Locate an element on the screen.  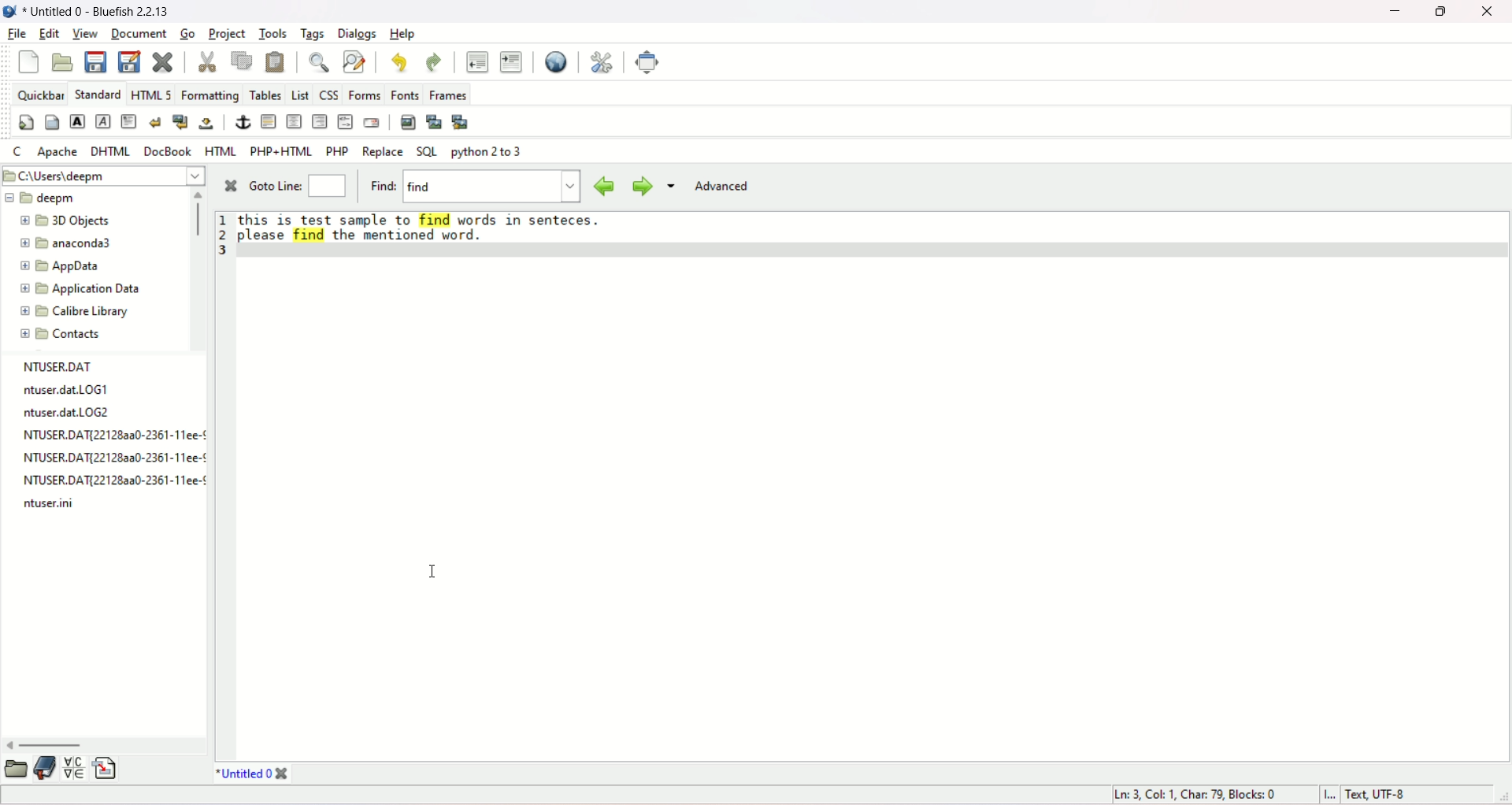
advanced is located at coordinates (726, 190).